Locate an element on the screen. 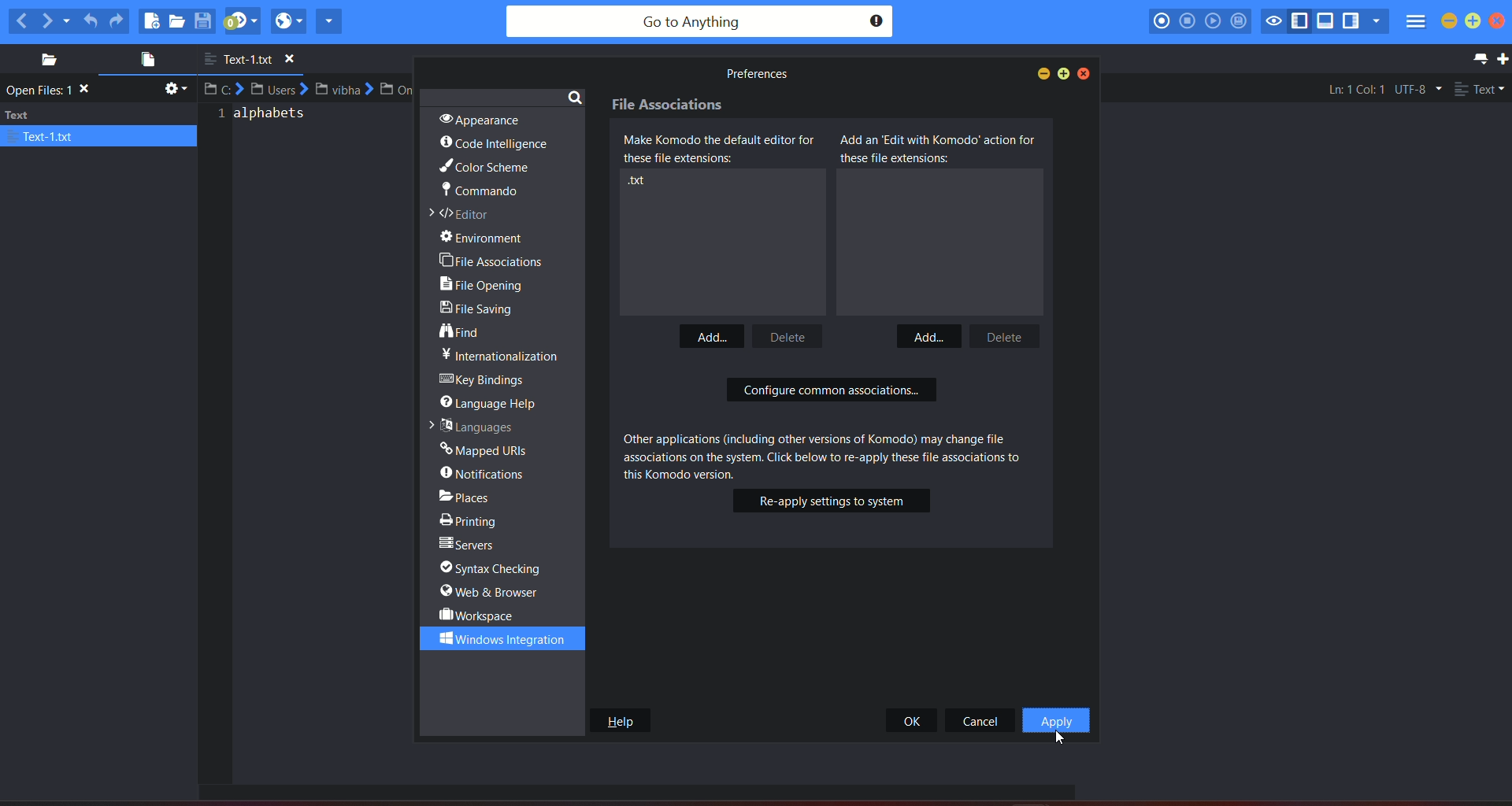 Image resolution: width=1512 pixels, height=806 pixels. text is located at coordinates (499, 355).